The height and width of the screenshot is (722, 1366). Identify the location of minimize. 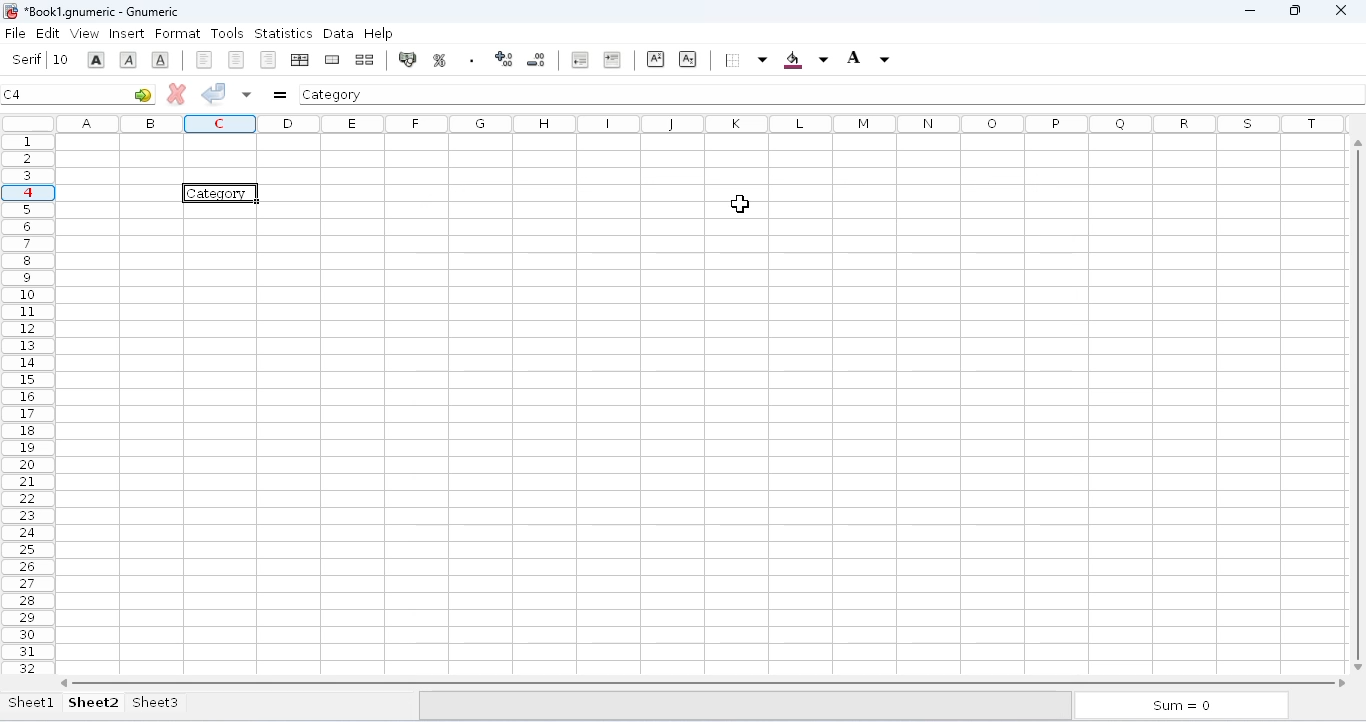
(1250, 11).